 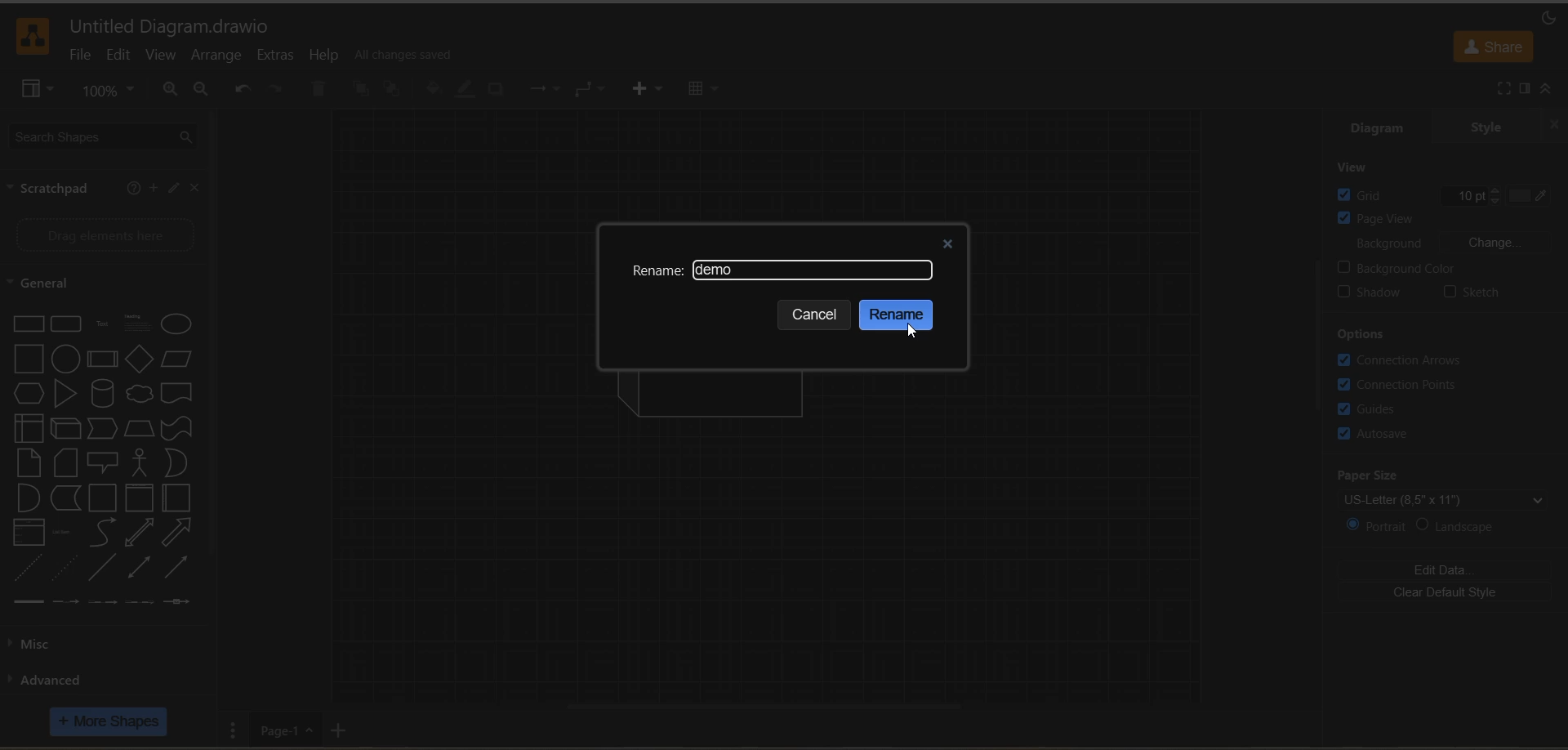 What do you see at coordinates (106, 234) in the screenshot?
I see `Drag elements here` at bounding box center [106, 234].